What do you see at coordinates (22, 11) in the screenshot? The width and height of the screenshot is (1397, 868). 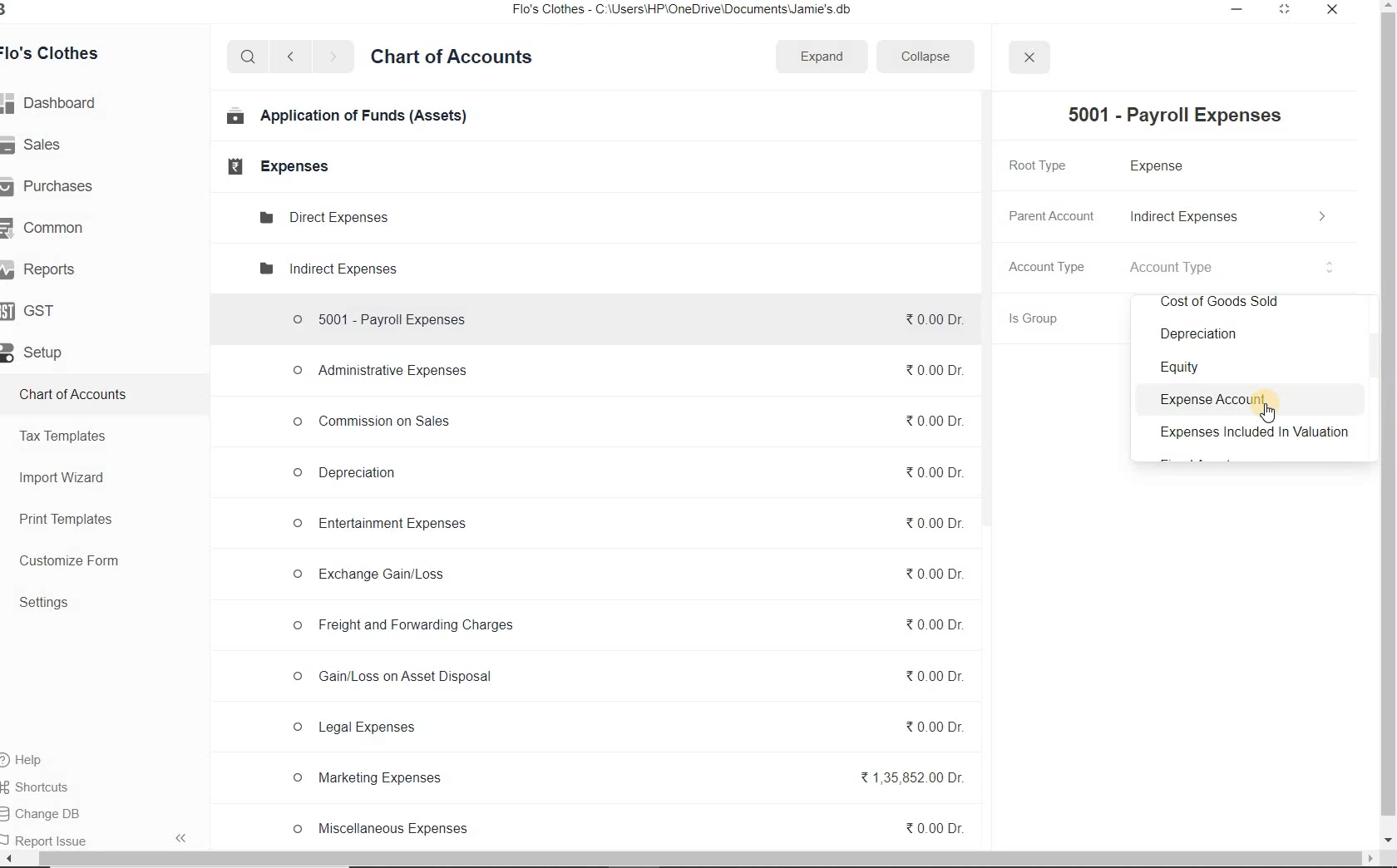 I see `frappe books logo` at bounding box center [22, 11].